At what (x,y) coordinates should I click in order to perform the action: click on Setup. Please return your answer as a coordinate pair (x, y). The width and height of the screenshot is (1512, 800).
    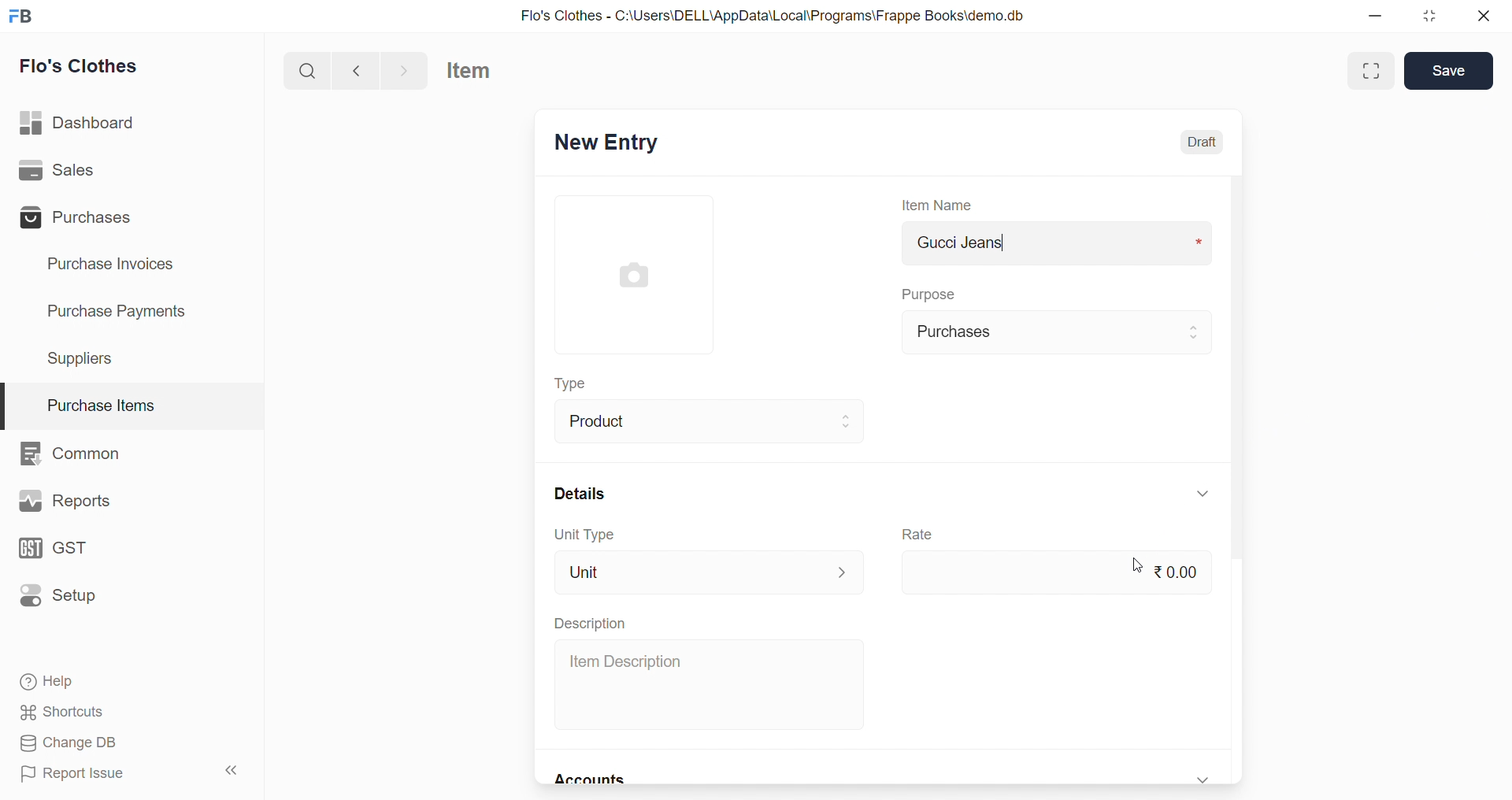
    Looking at the image, I should click on (69, 598).